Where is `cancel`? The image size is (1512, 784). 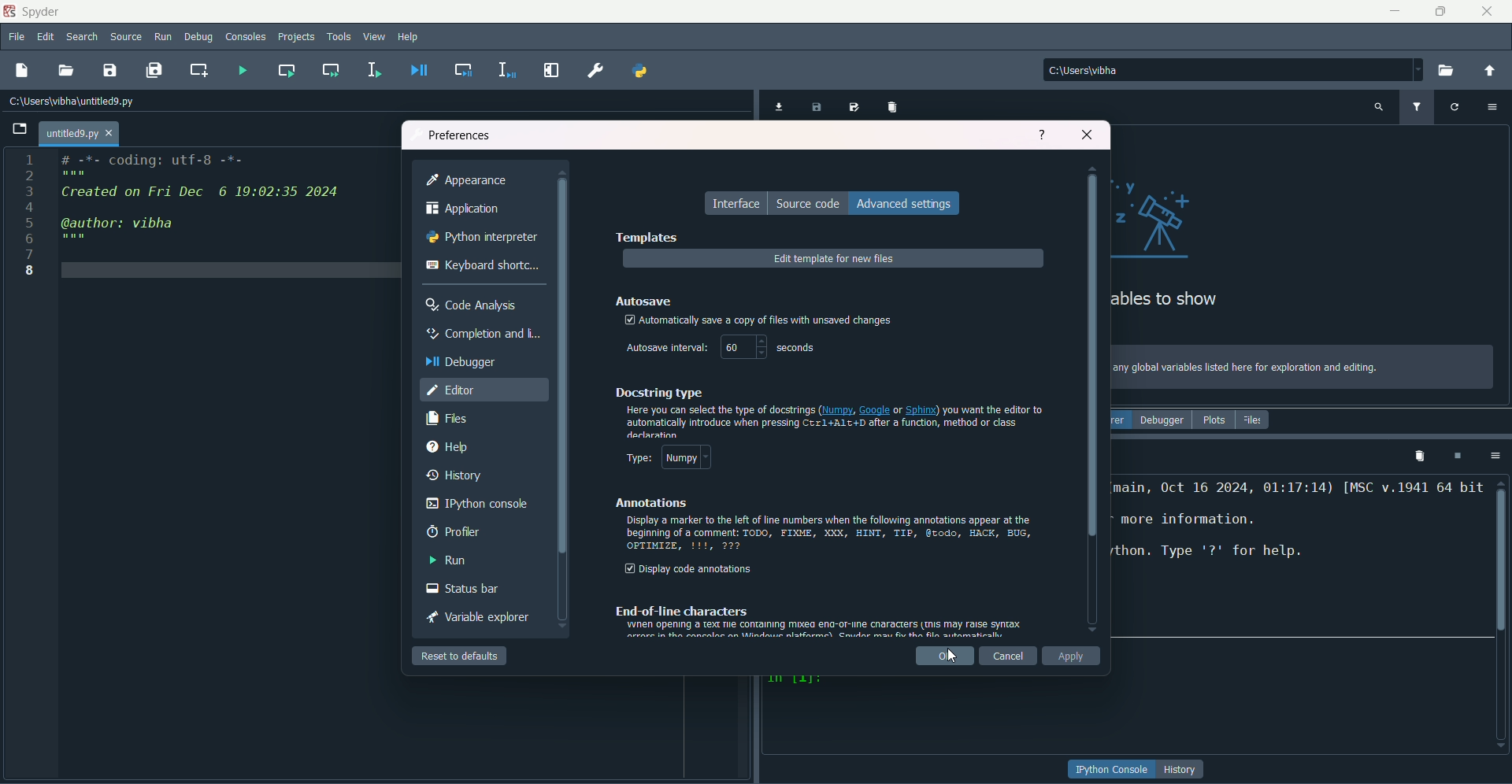 cancel is located at coordinates (1009, 657).